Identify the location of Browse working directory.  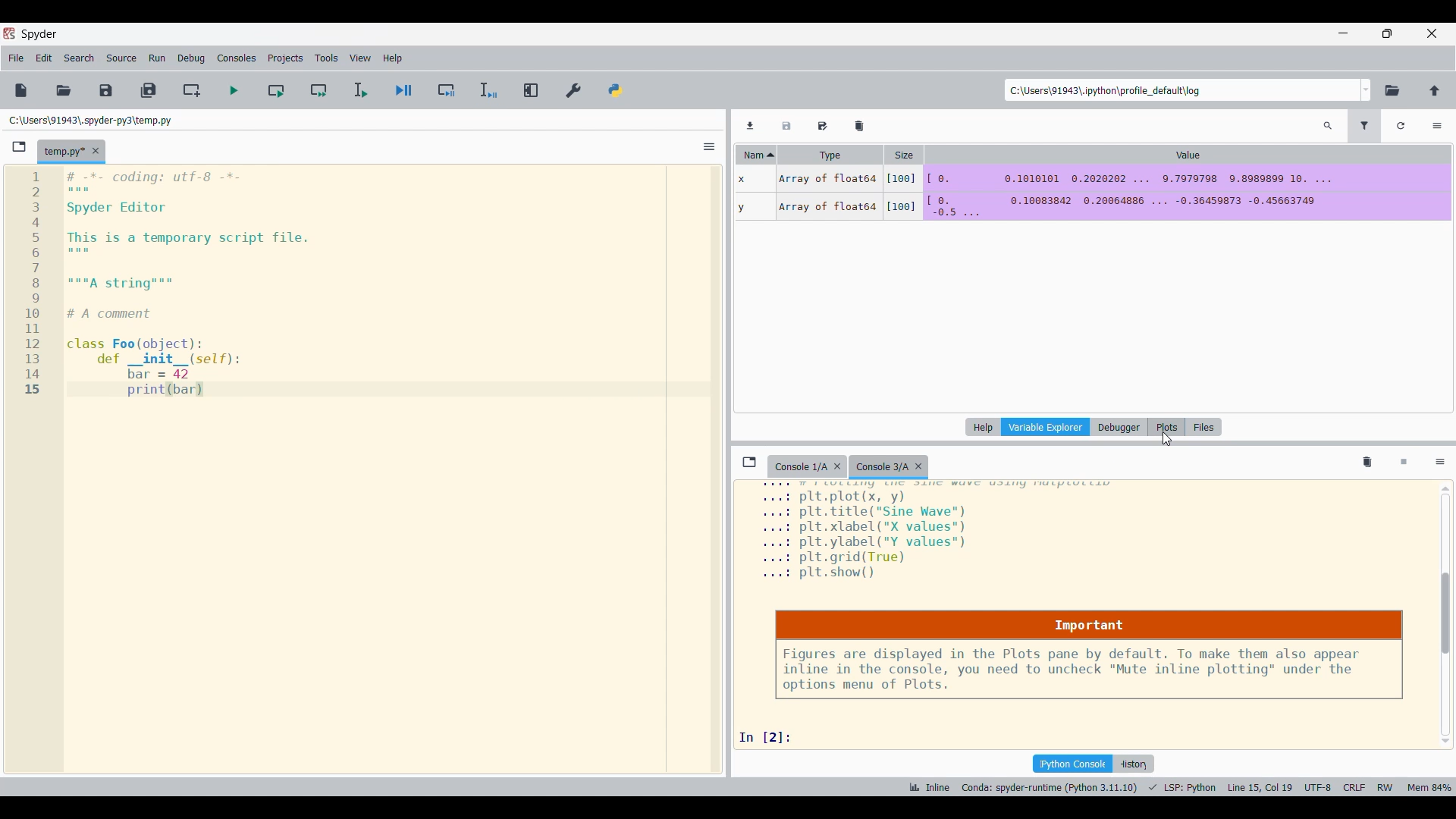
(1393, 90).